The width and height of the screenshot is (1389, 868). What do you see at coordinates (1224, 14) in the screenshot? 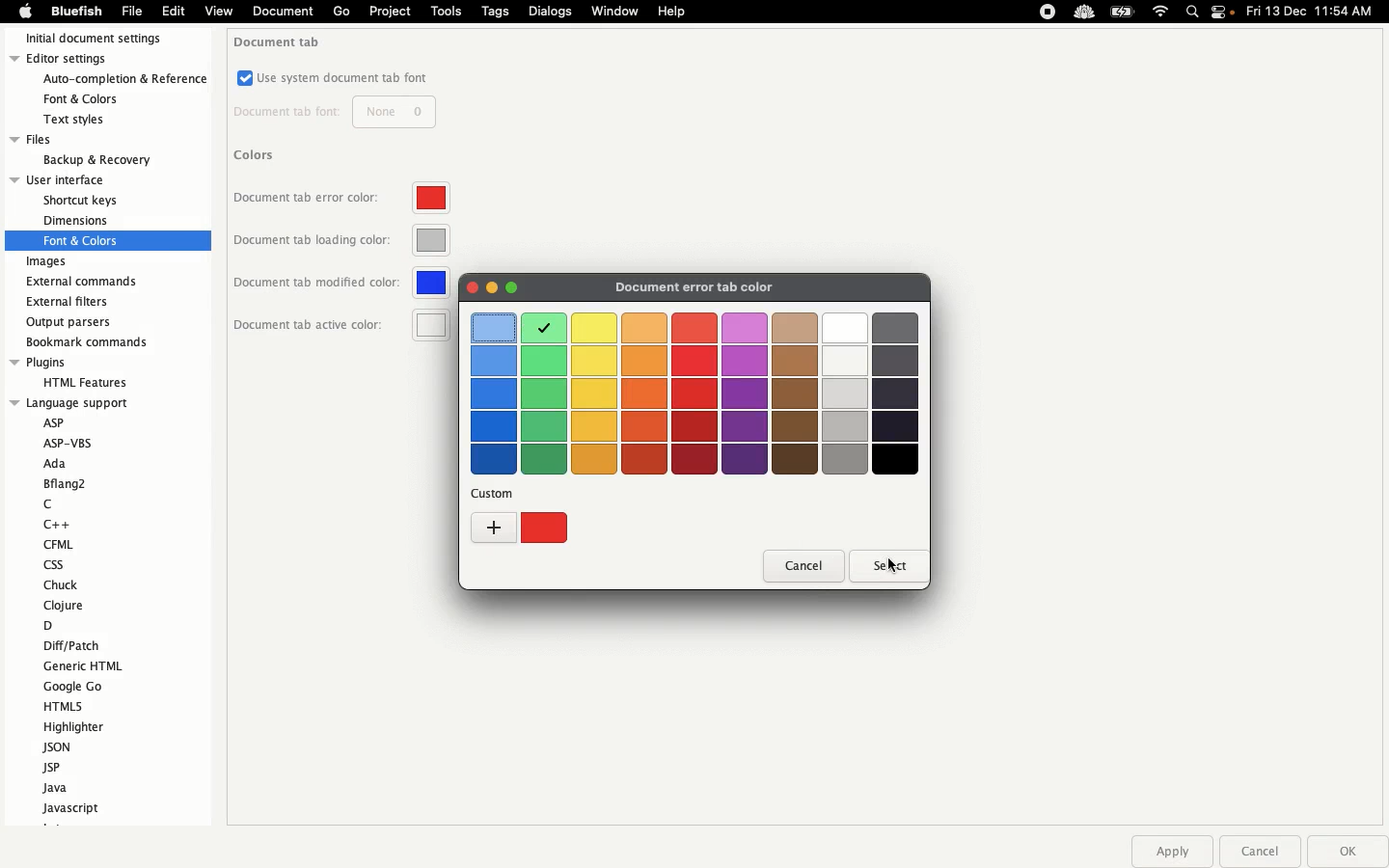
I see `Notification` at bounding box center [1224, 14].